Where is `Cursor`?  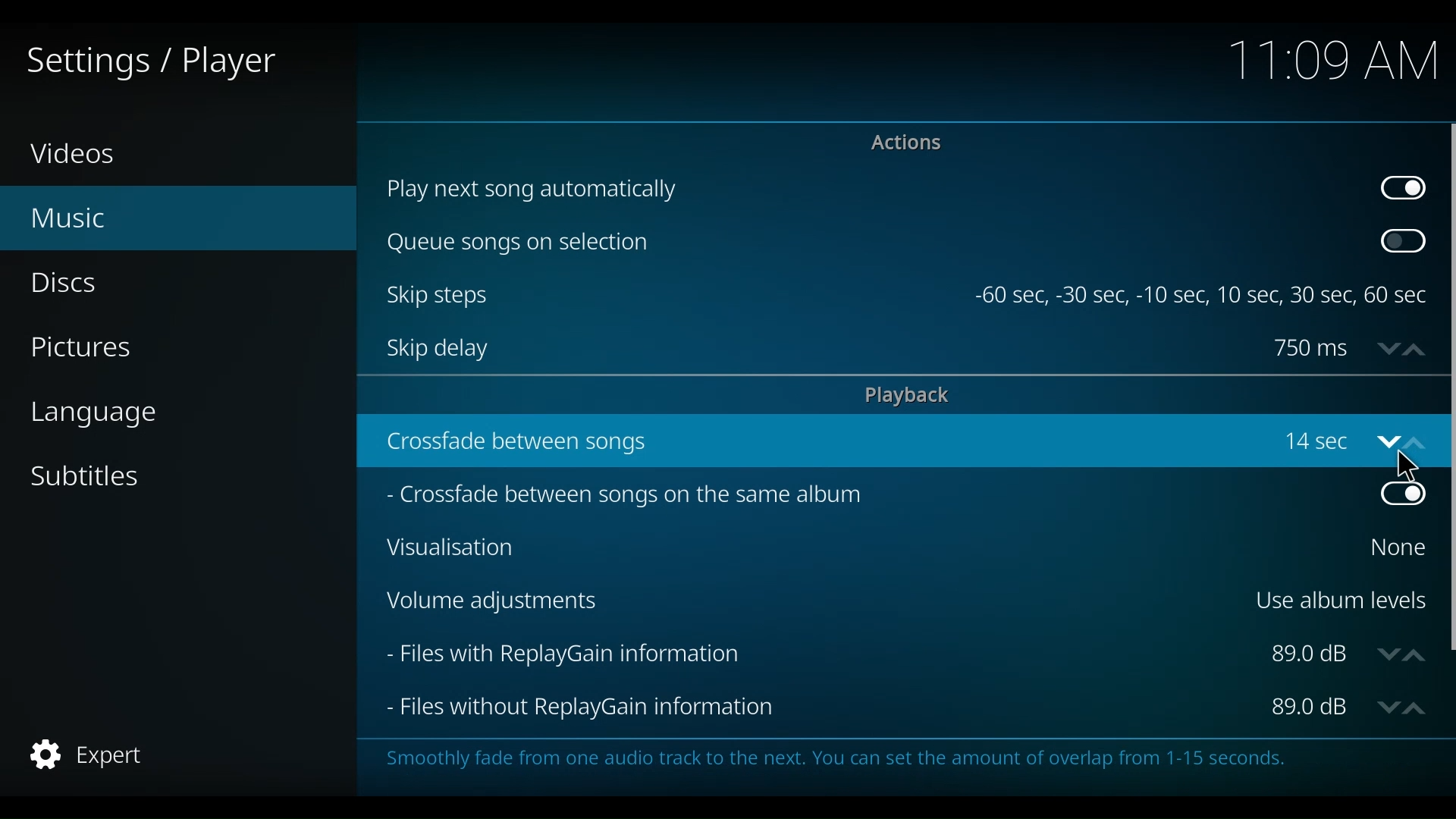 Cursor is located at coordinates (1404, 469).